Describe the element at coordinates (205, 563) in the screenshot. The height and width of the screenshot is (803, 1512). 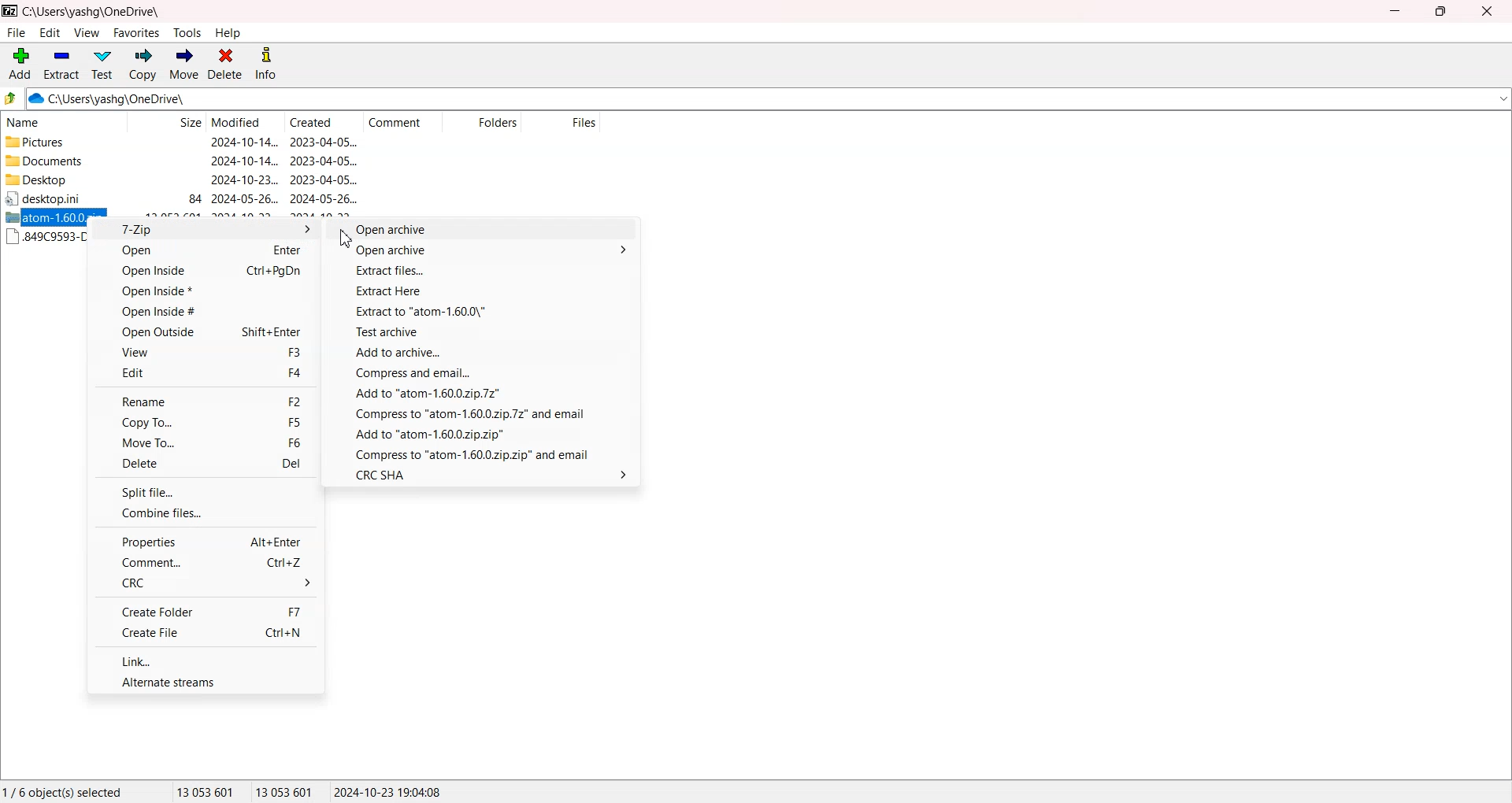
I see `Comment` at that location.